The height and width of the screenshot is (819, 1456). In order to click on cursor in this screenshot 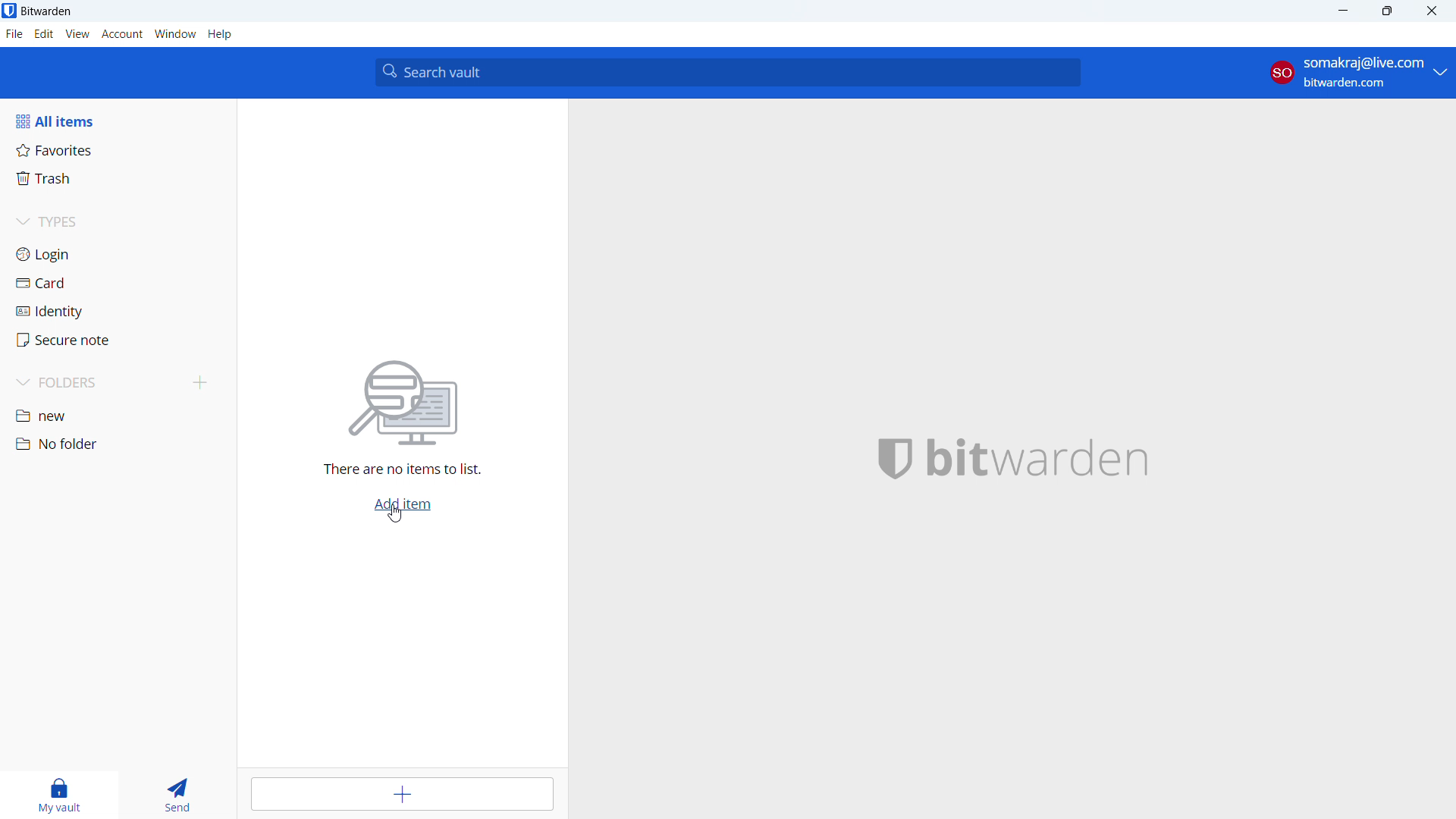, I will do `click(397, 514)`.